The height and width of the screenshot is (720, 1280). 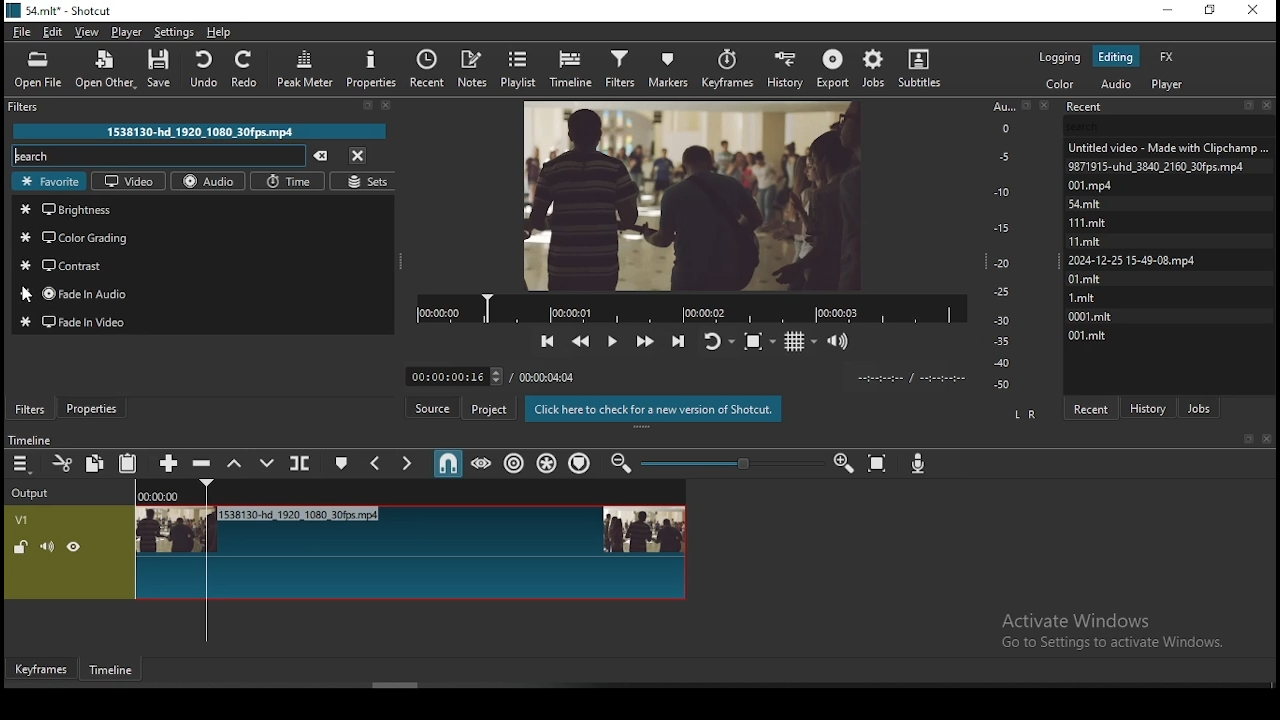 I want to click on favorites, so click(x=49, y=182).